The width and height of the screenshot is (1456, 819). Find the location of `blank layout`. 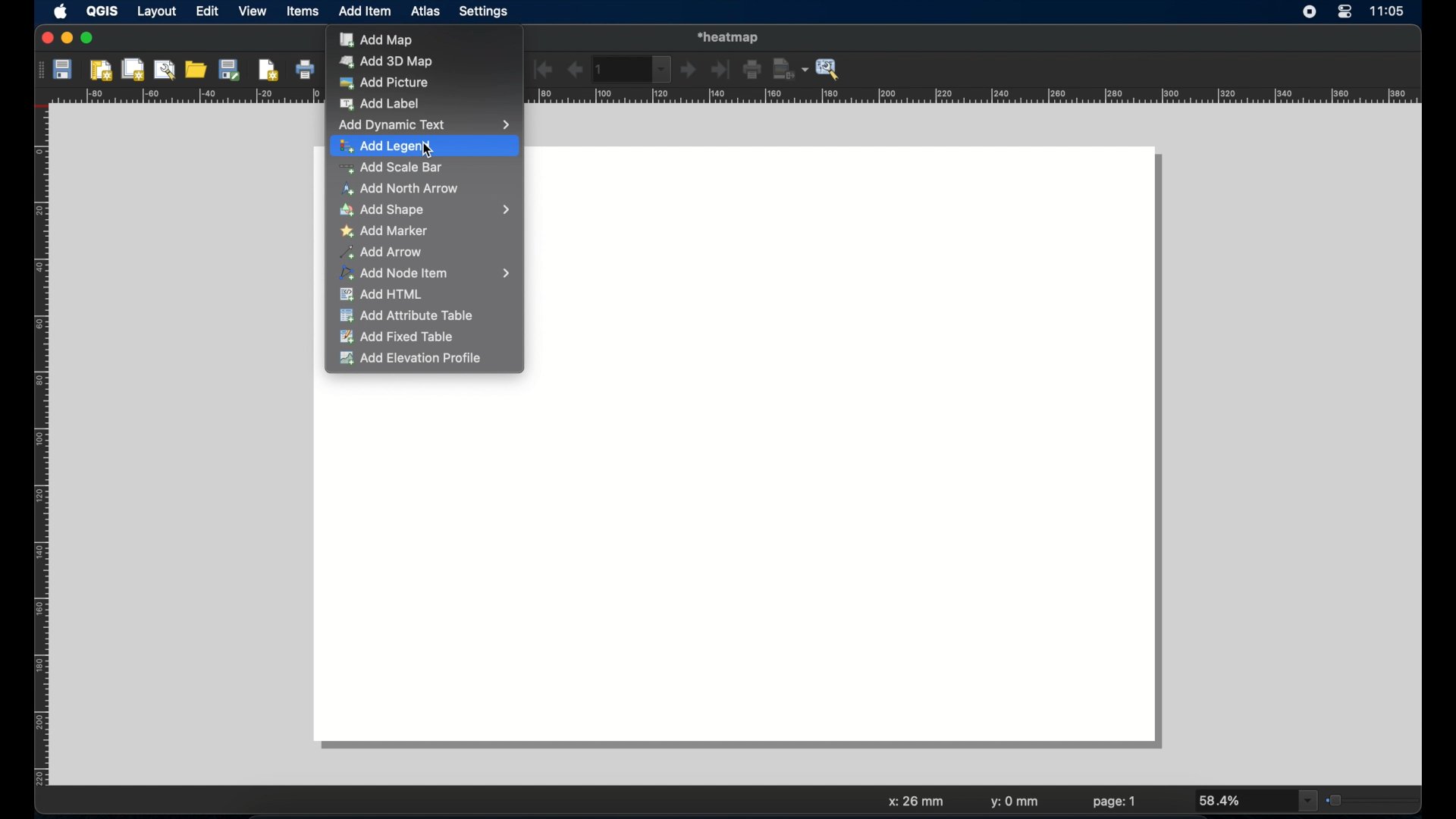

blank layout is located at coordinates (739, 573).